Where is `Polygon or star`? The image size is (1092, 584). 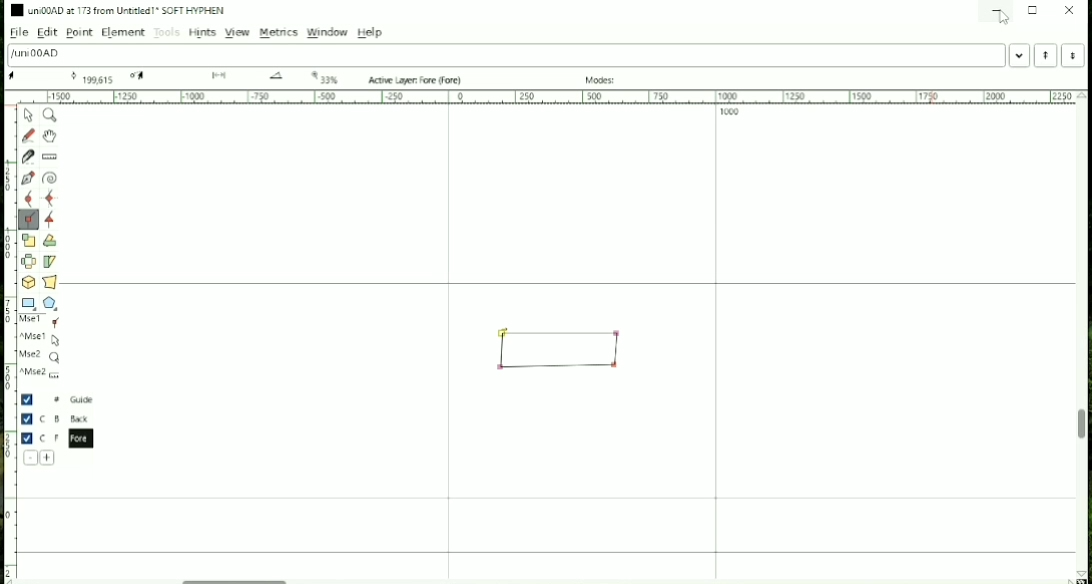 Polygon or star is located at coordinates (52, 303).